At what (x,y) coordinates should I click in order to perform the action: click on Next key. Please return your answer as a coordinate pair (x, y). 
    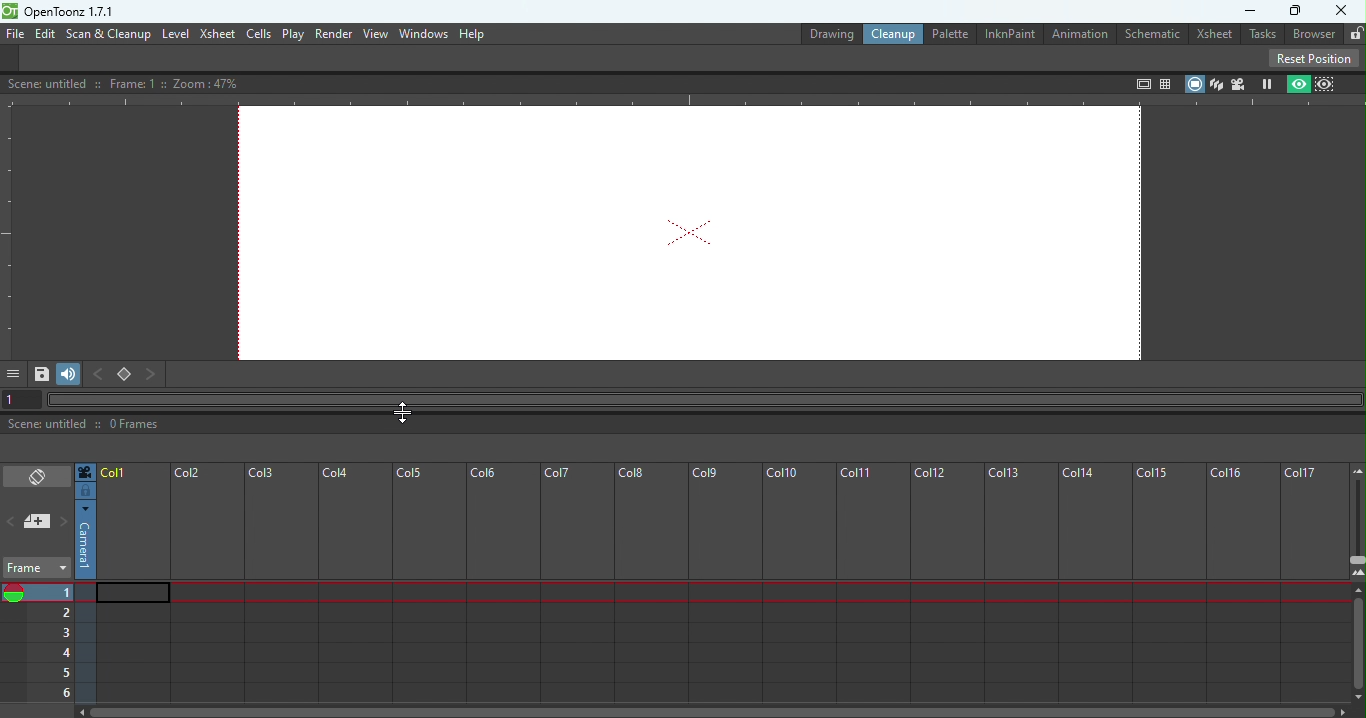
    Looking at the image, I should click on (159, 375).